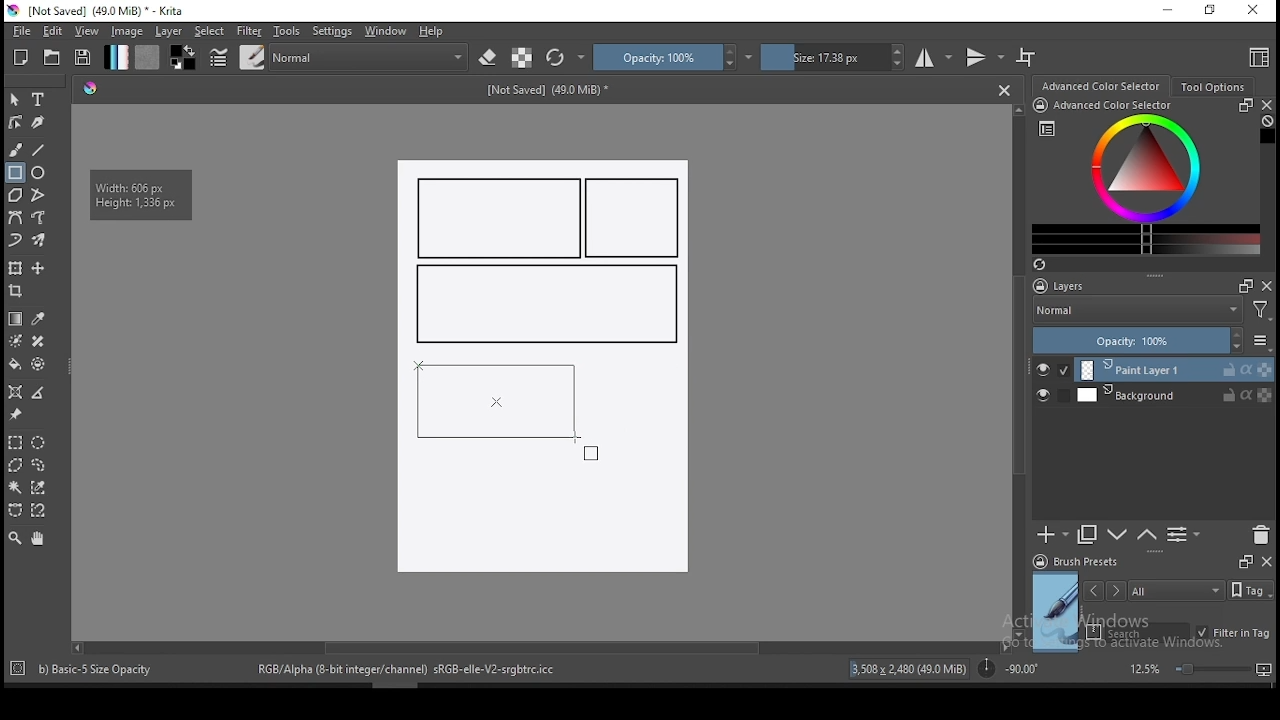 Image resolution: width=1280 pixels, height=720 pixels. Describe the element at coordinates (15, 173) in the screenshot. I see `rectangle tool` at that location.